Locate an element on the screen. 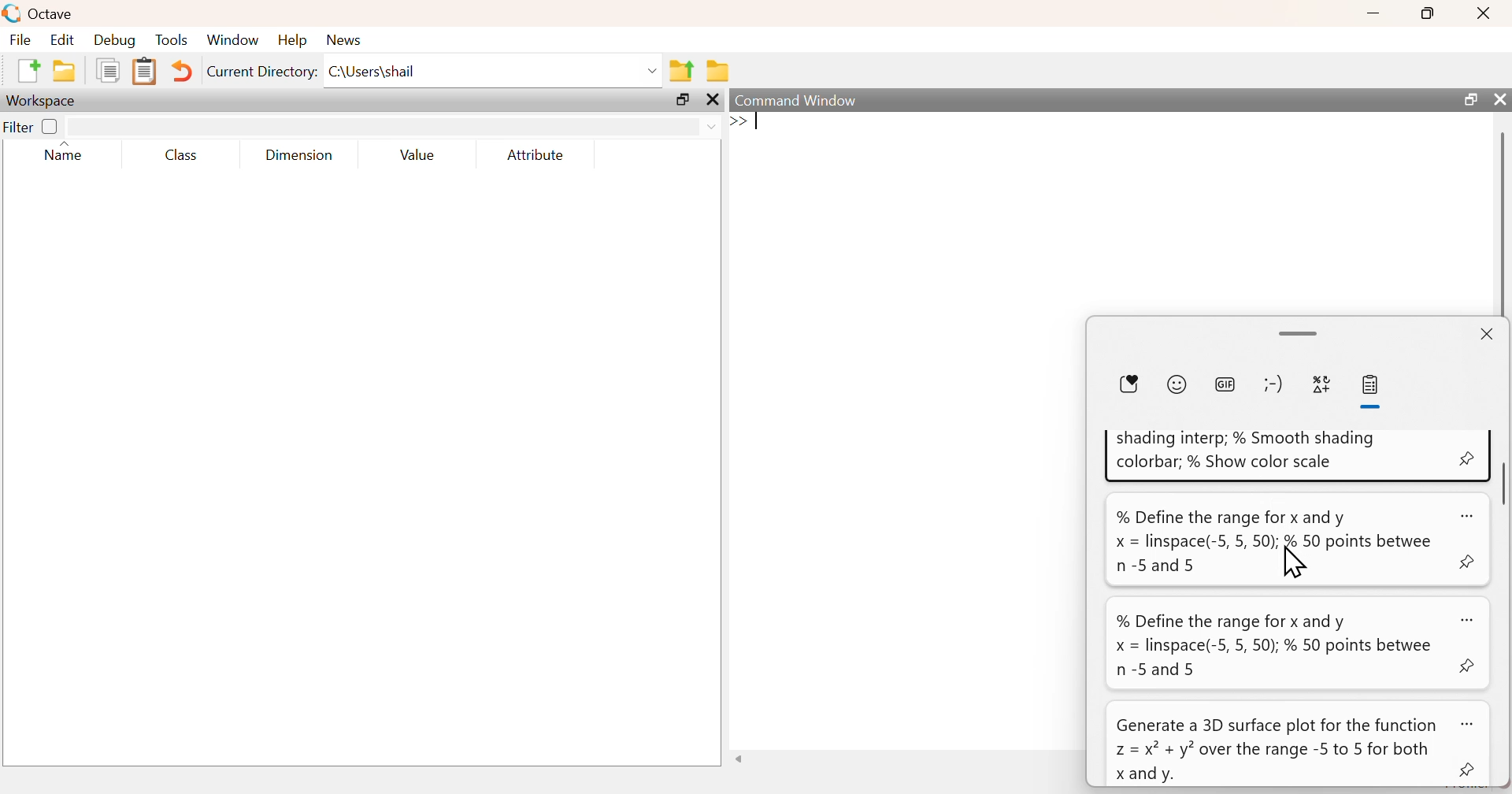 This screenshot has height=794, width=1512. Tools is located at coordinates (172, 39).